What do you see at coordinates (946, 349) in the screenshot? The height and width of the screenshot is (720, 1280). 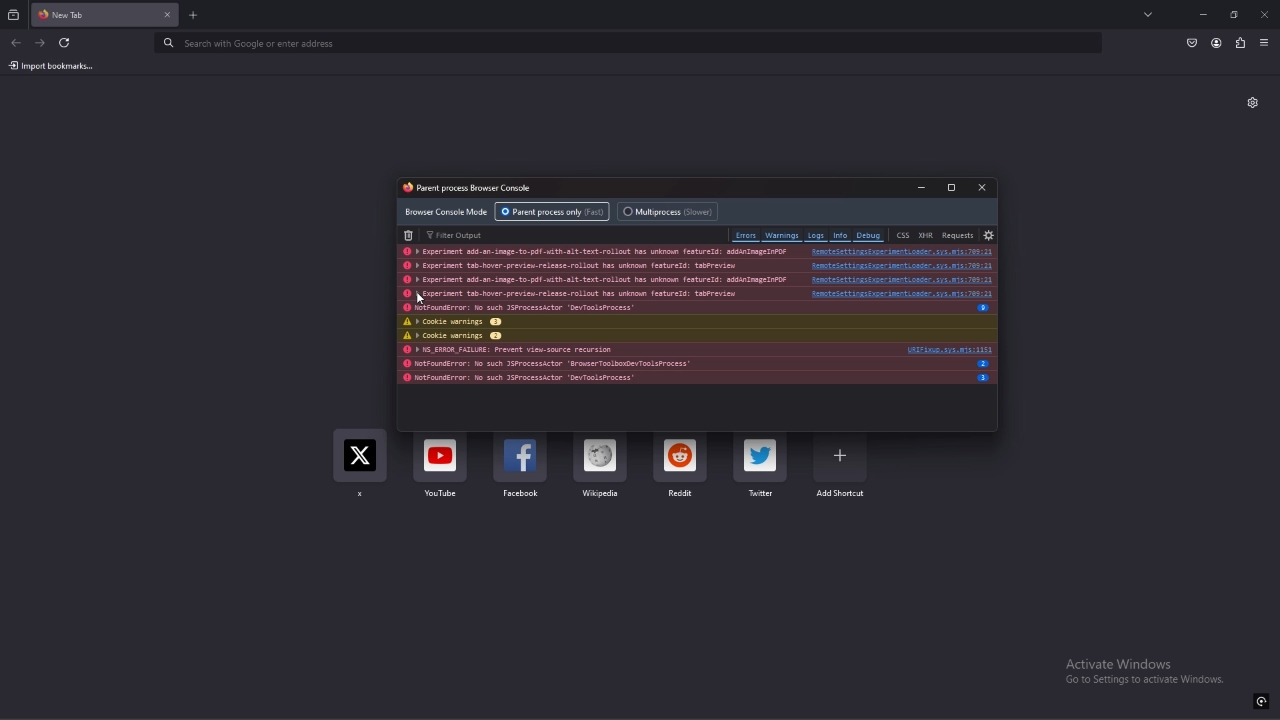 I see `source` at bounding box center [946, 349].